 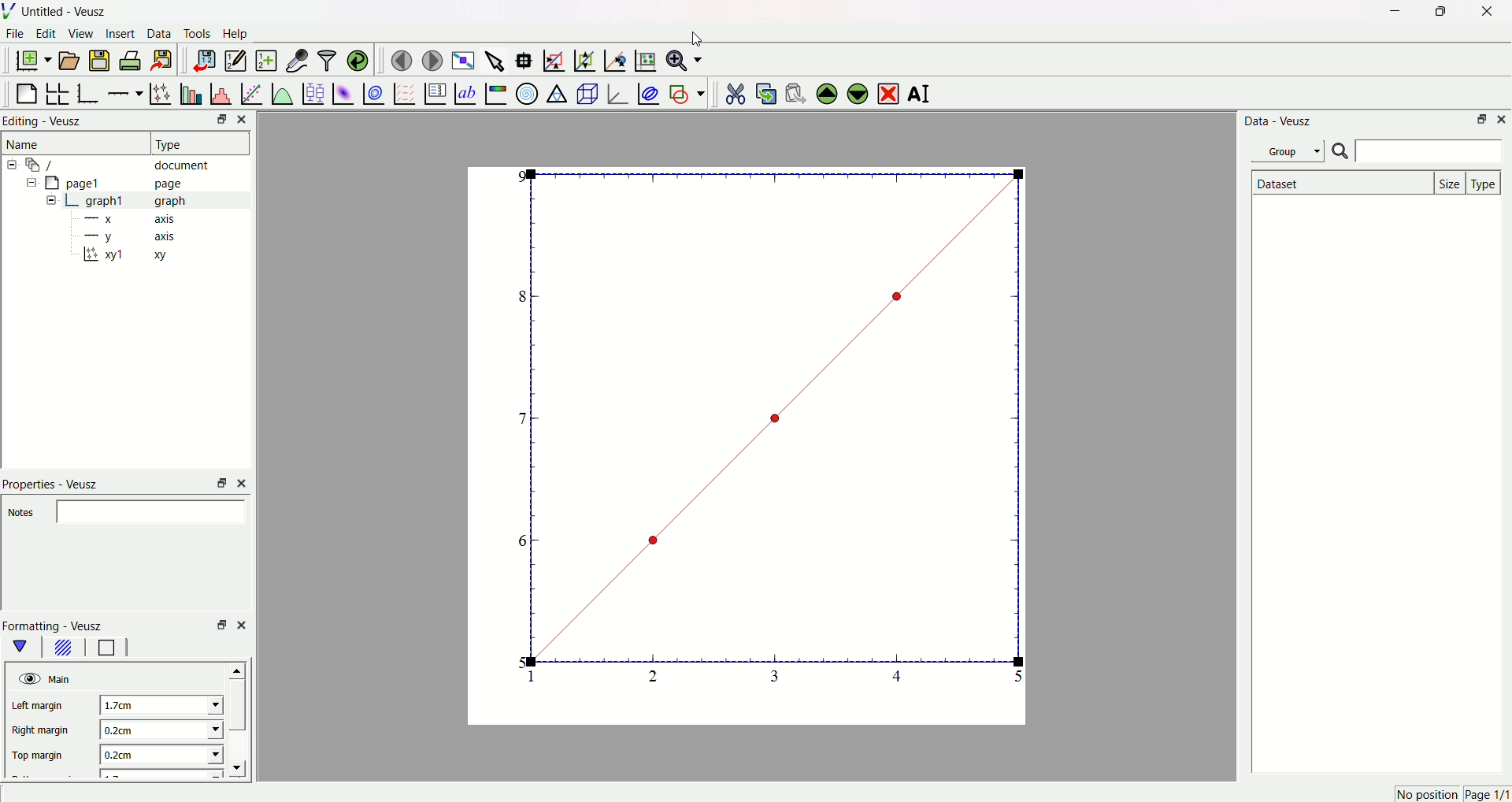 I want to click on Close, so click(x=246, y=119).